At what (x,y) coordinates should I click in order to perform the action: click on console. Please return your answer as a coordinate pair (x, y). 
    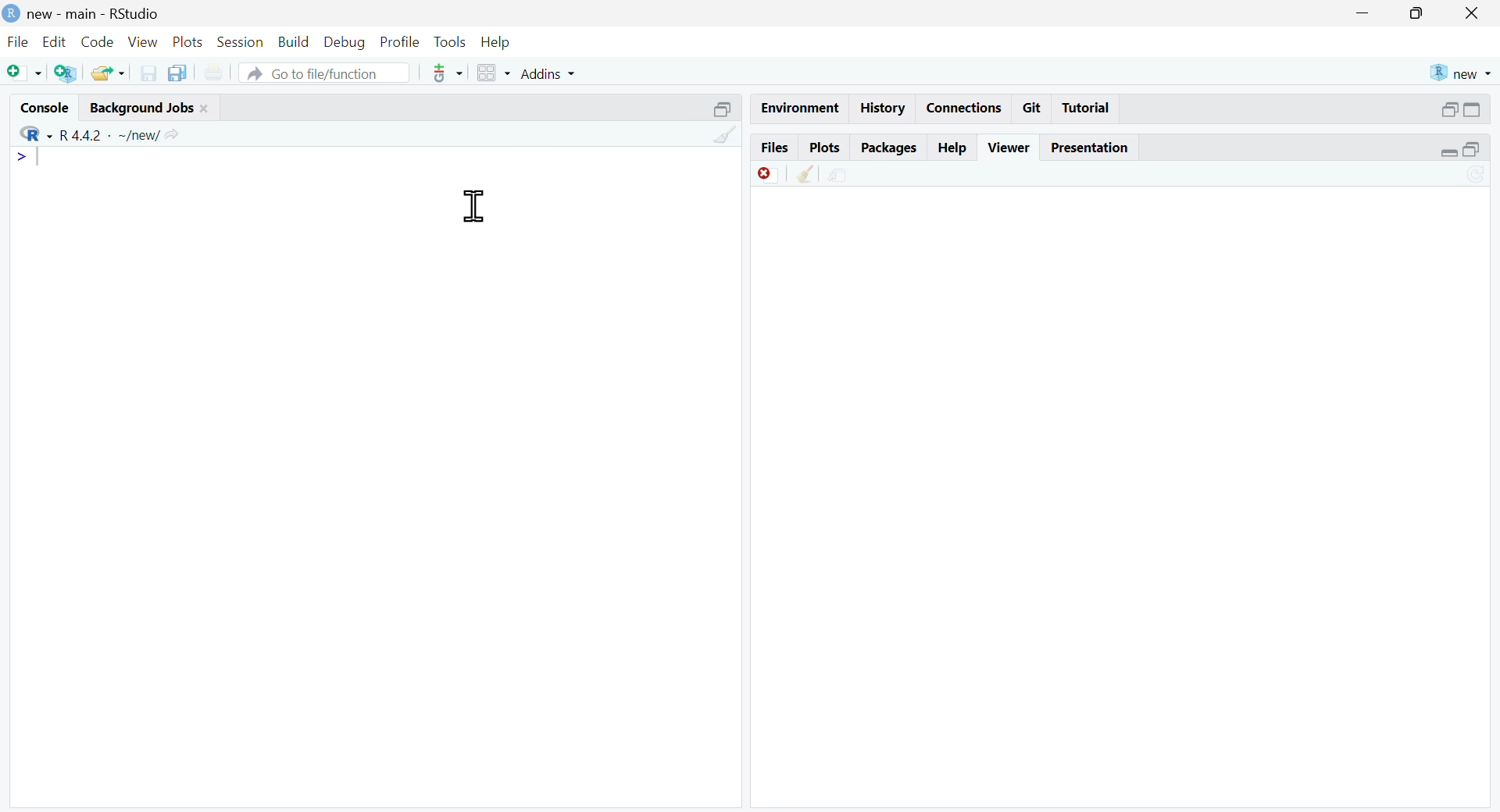
    Looking at the image, I should click on (46, 109).